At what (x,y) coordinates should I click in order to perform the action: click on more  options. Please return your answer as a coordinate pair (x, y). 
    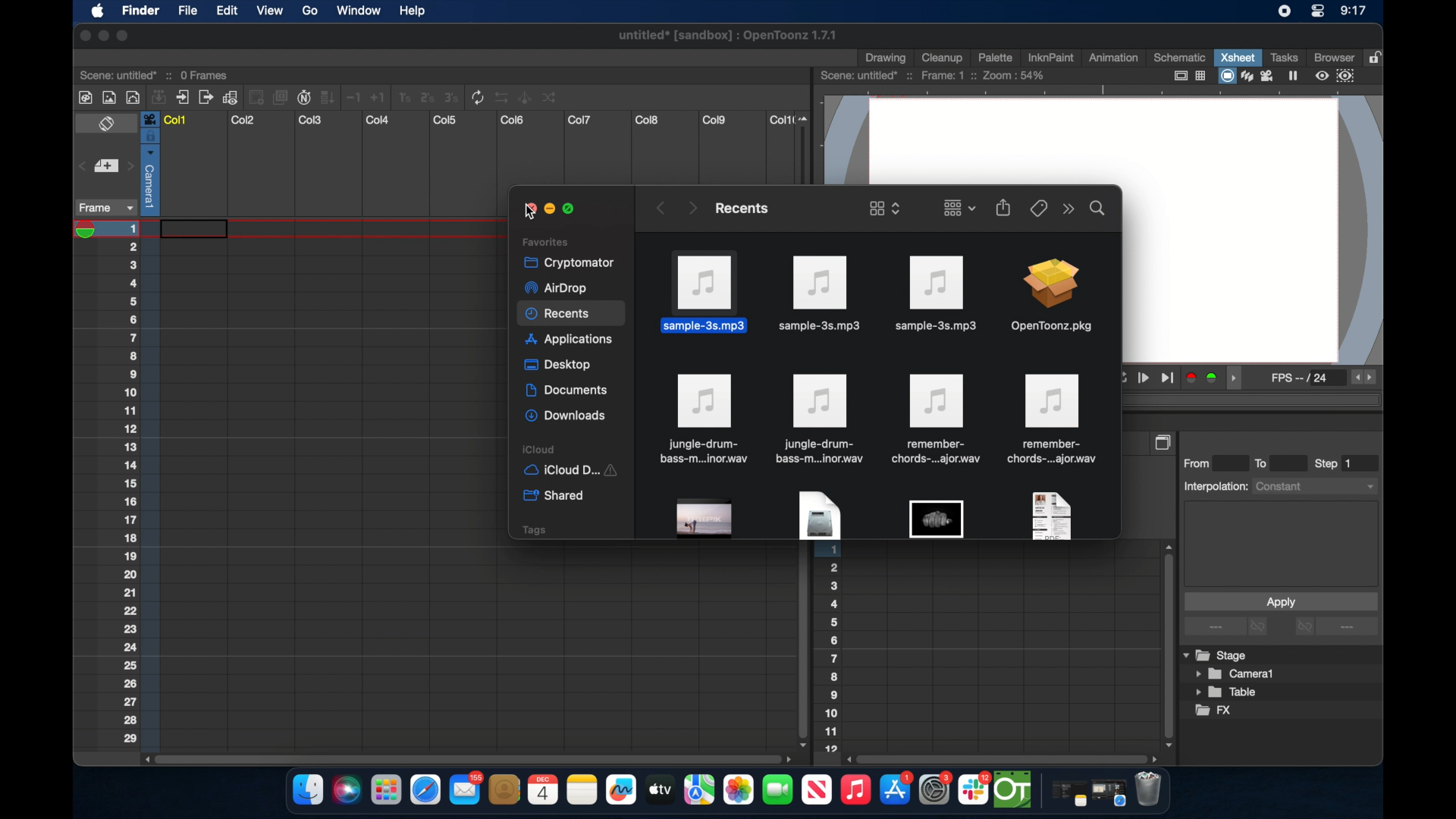
    Looking at the image, I should click on (1228, 627).